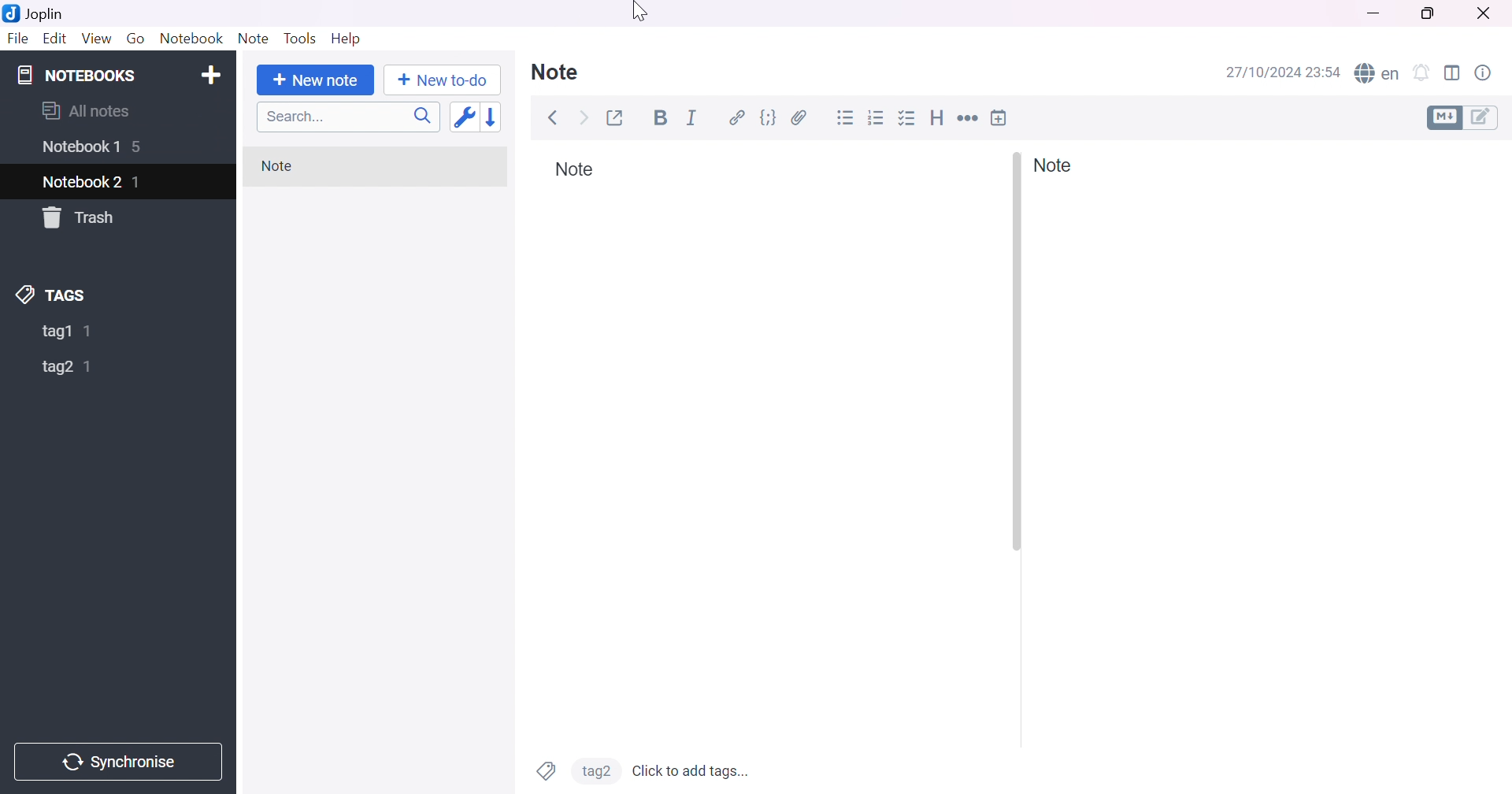 Image resolution: width=1512 pixels, height=794 pixels. What do you see at coordinates (1377, 71) in the screenshot?
I see `Spell checker` at bounding box center [1377, 71].